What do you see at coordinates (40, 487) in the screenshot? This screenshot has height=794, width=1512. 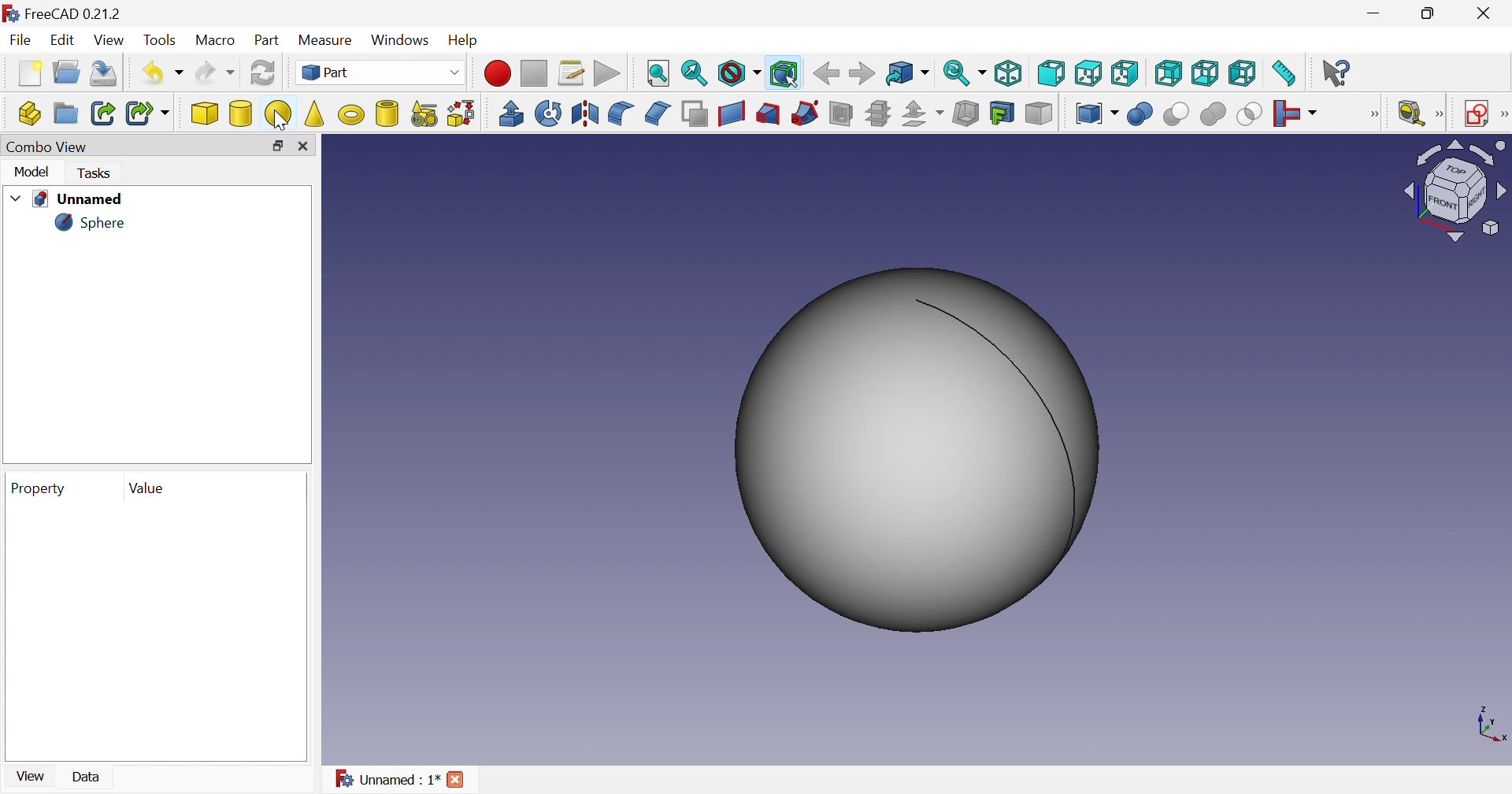 I see `Property` at bounding box center [40, 487].